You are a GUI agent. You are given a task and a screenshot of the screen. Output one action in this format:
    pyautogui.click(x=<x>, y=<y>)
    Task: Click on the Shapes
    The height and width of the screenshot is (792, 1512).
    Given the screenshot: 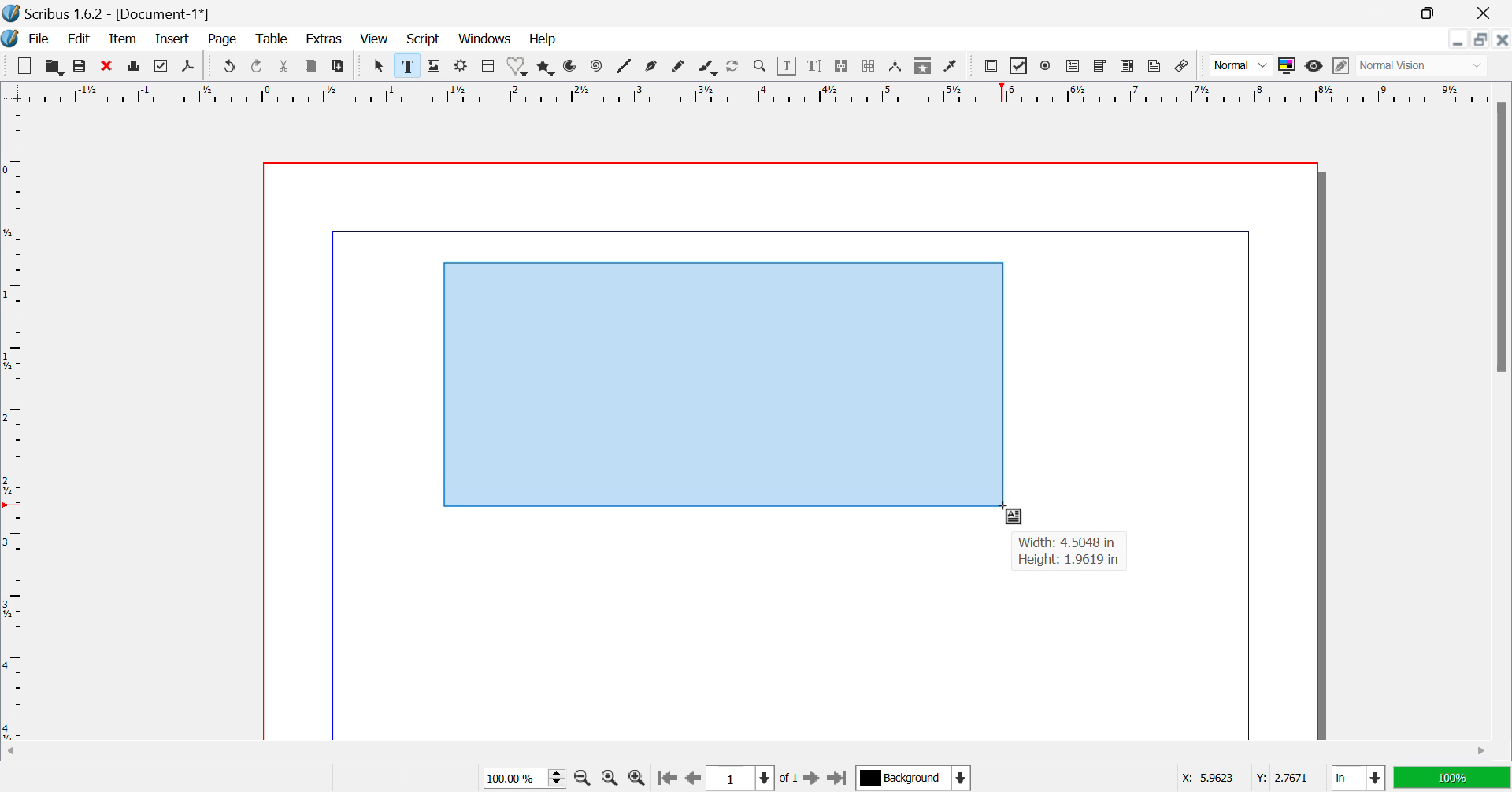 What is the action you would take?
    pyautogui.click(x=520, y=68)
    